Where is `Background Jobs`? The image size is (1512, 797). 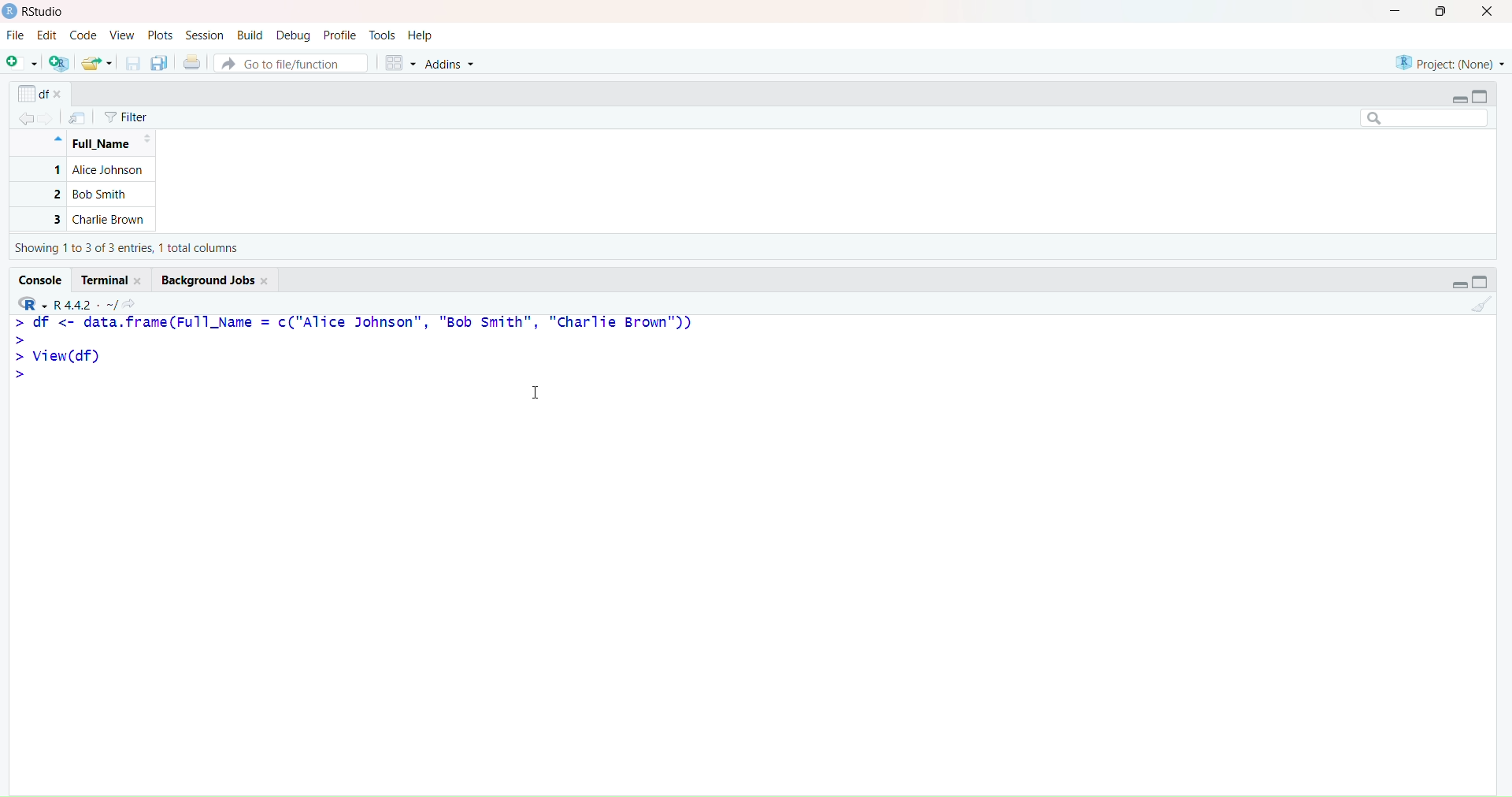
Background Jobs is located at coordinates (216, 279).